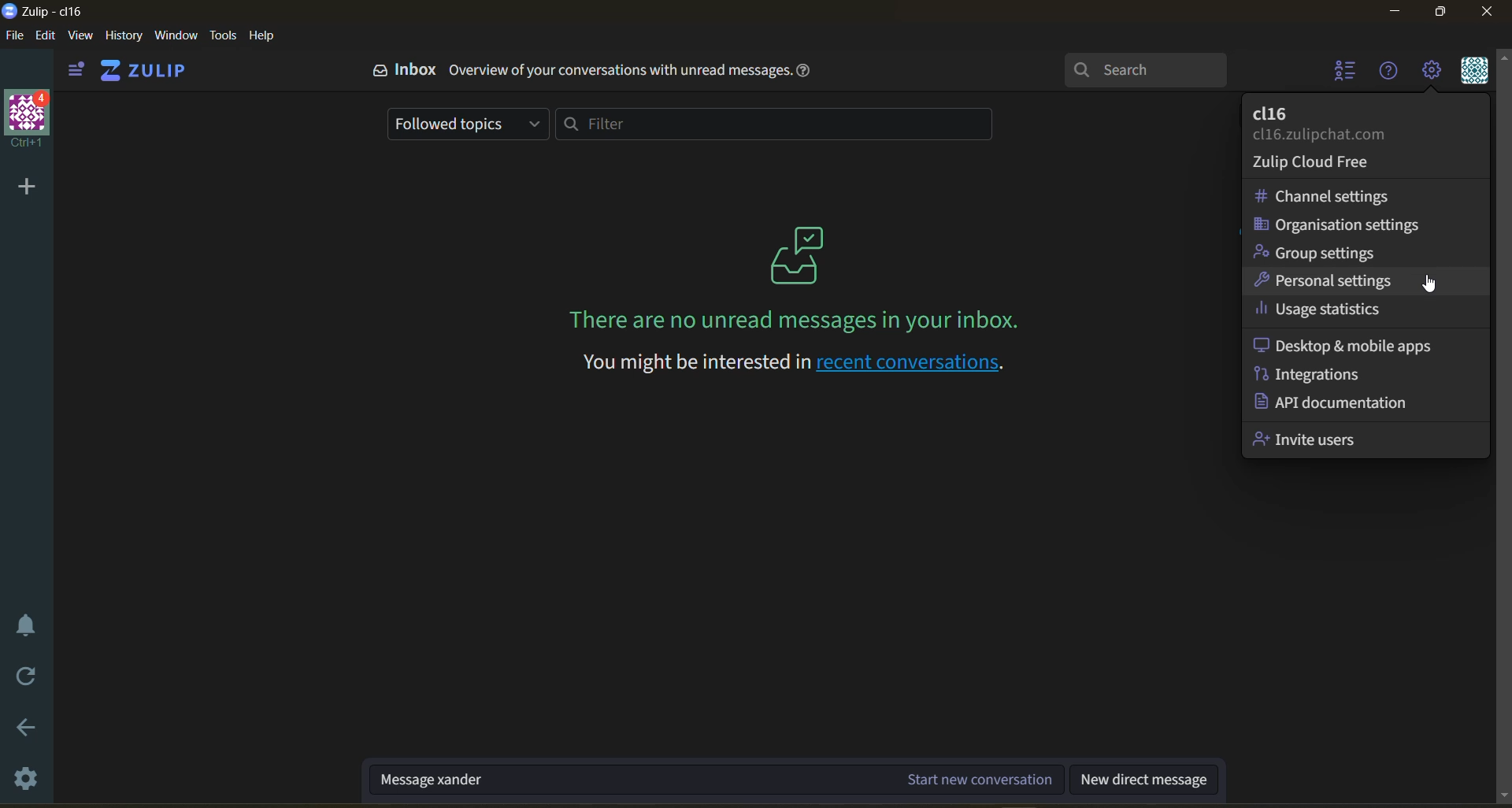 The image size is (1512, 808). Describe the element at coordinates (791, 363) in the screenshot. I see `You might be interested in recent conversations.` at that location.